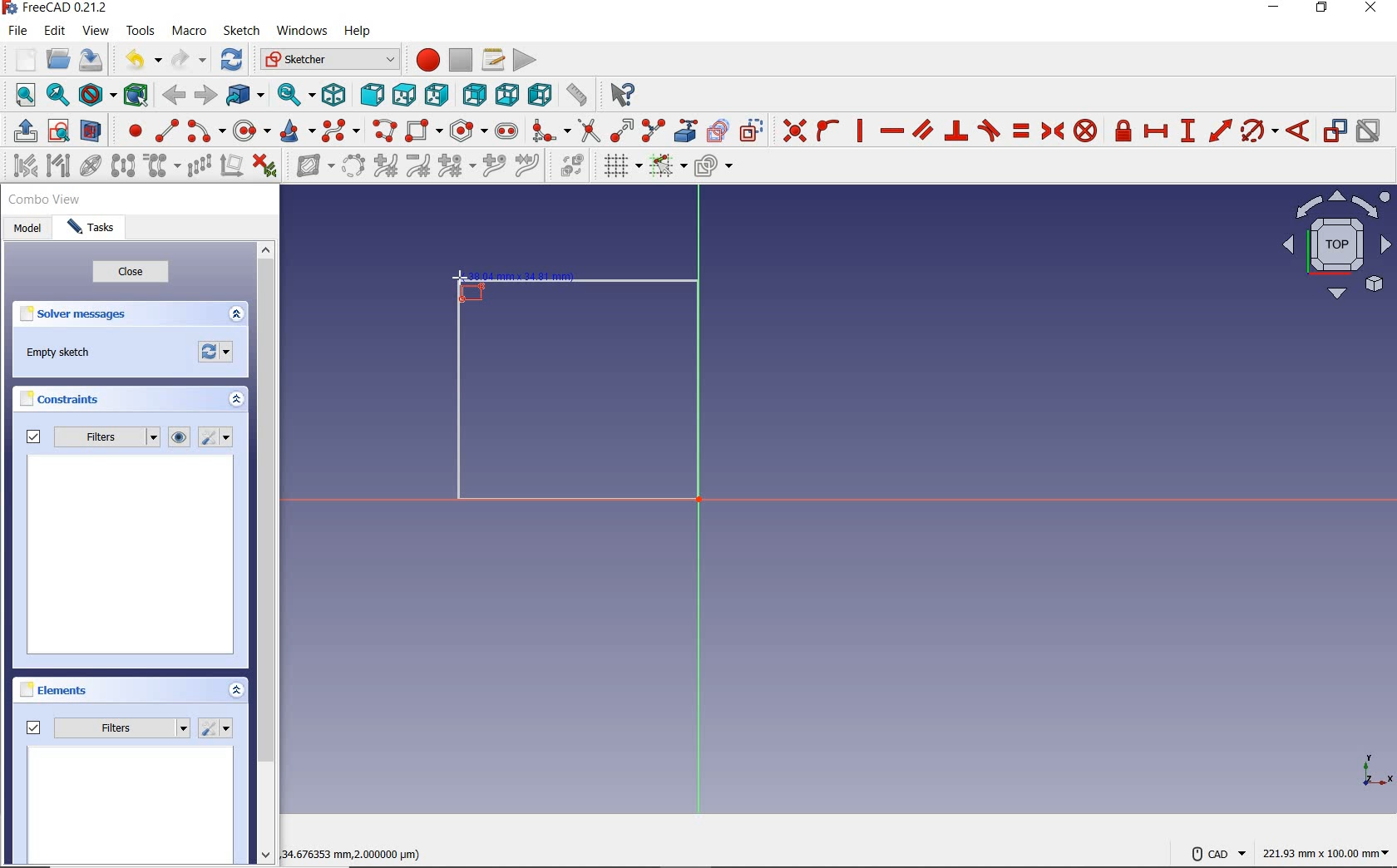 This screenshot has width=1397, height=868. I want to click on right, so click(439, 96).